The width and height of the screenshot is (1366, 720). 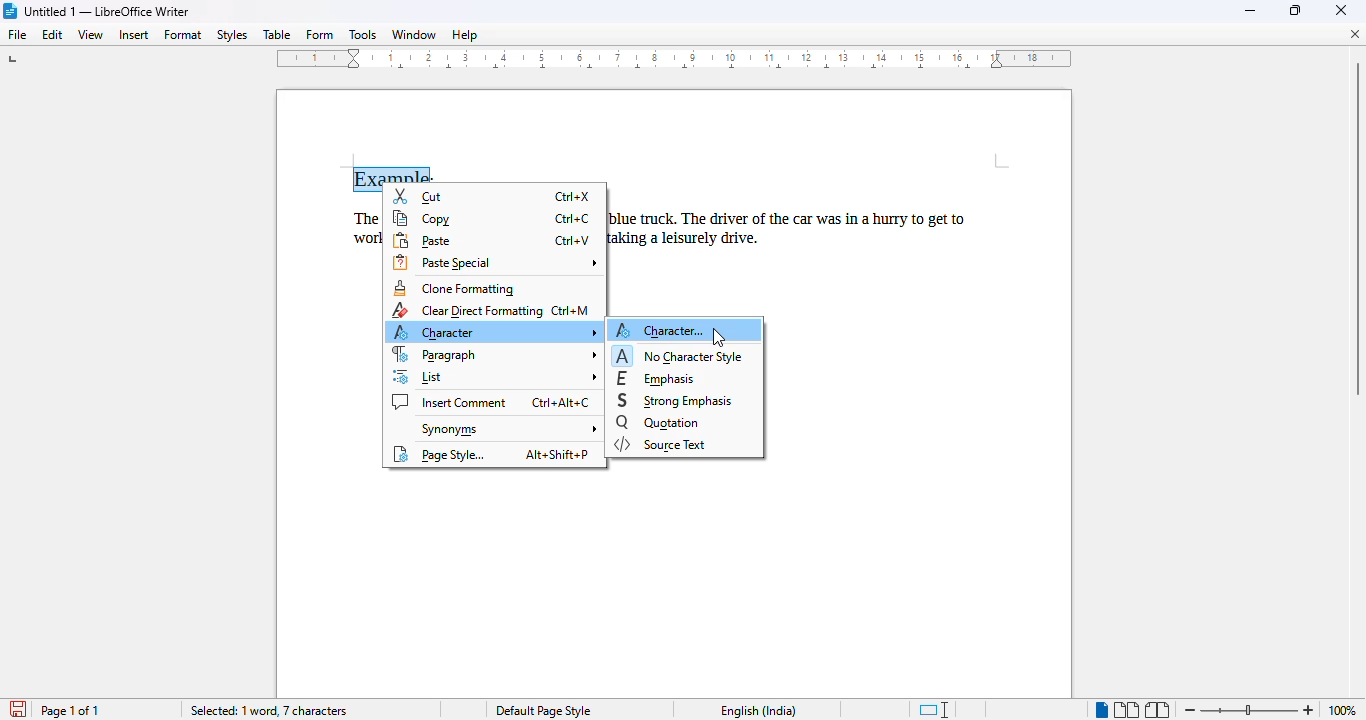 What do you see at coordinates (573, 220) in the screenshot?
I see `Ctrl+C` at bounding box center [573, 220].